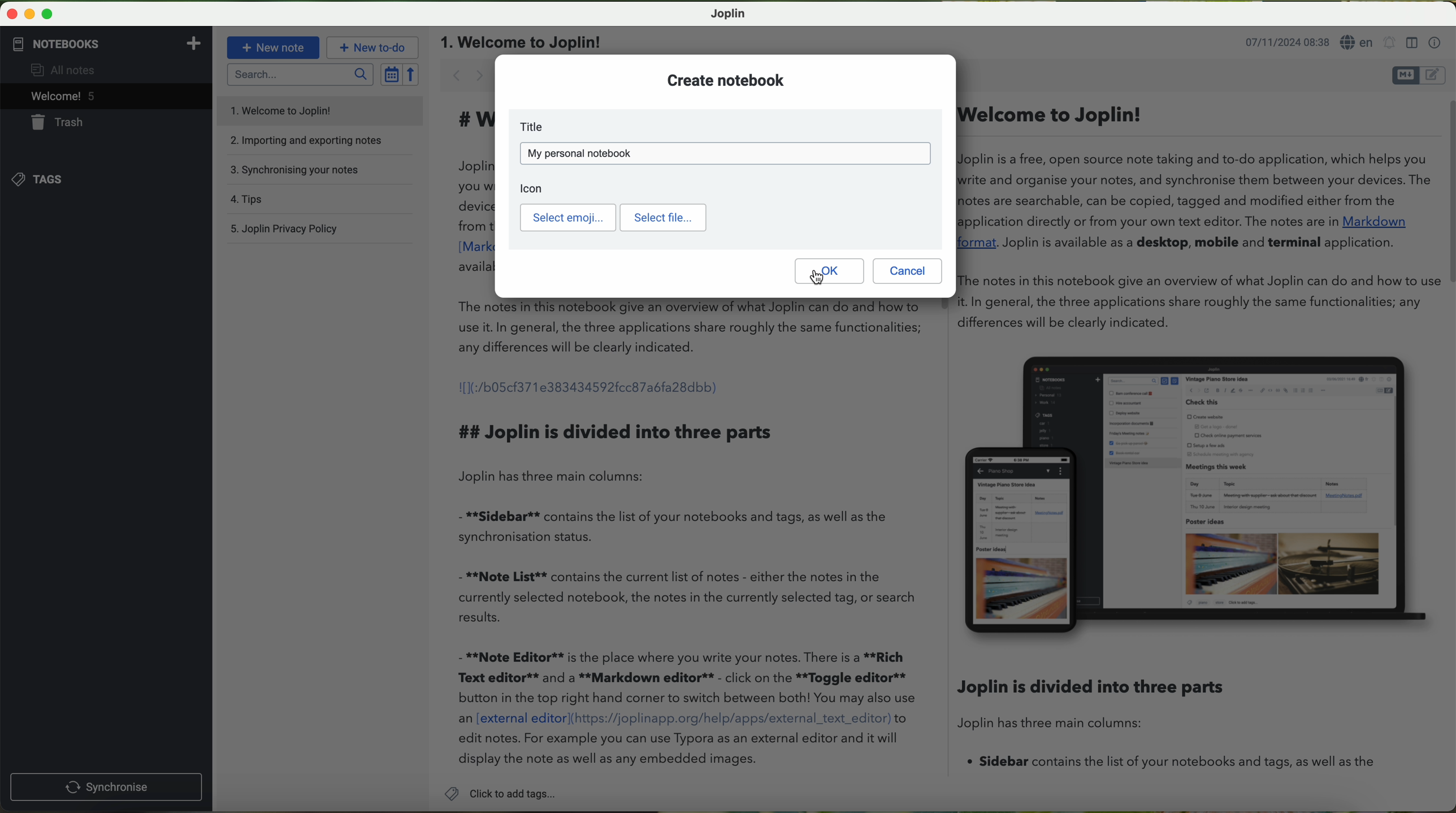  Describe the element at coordinates (372, 48) in the screenshot. I see `new to-do button` at that location.